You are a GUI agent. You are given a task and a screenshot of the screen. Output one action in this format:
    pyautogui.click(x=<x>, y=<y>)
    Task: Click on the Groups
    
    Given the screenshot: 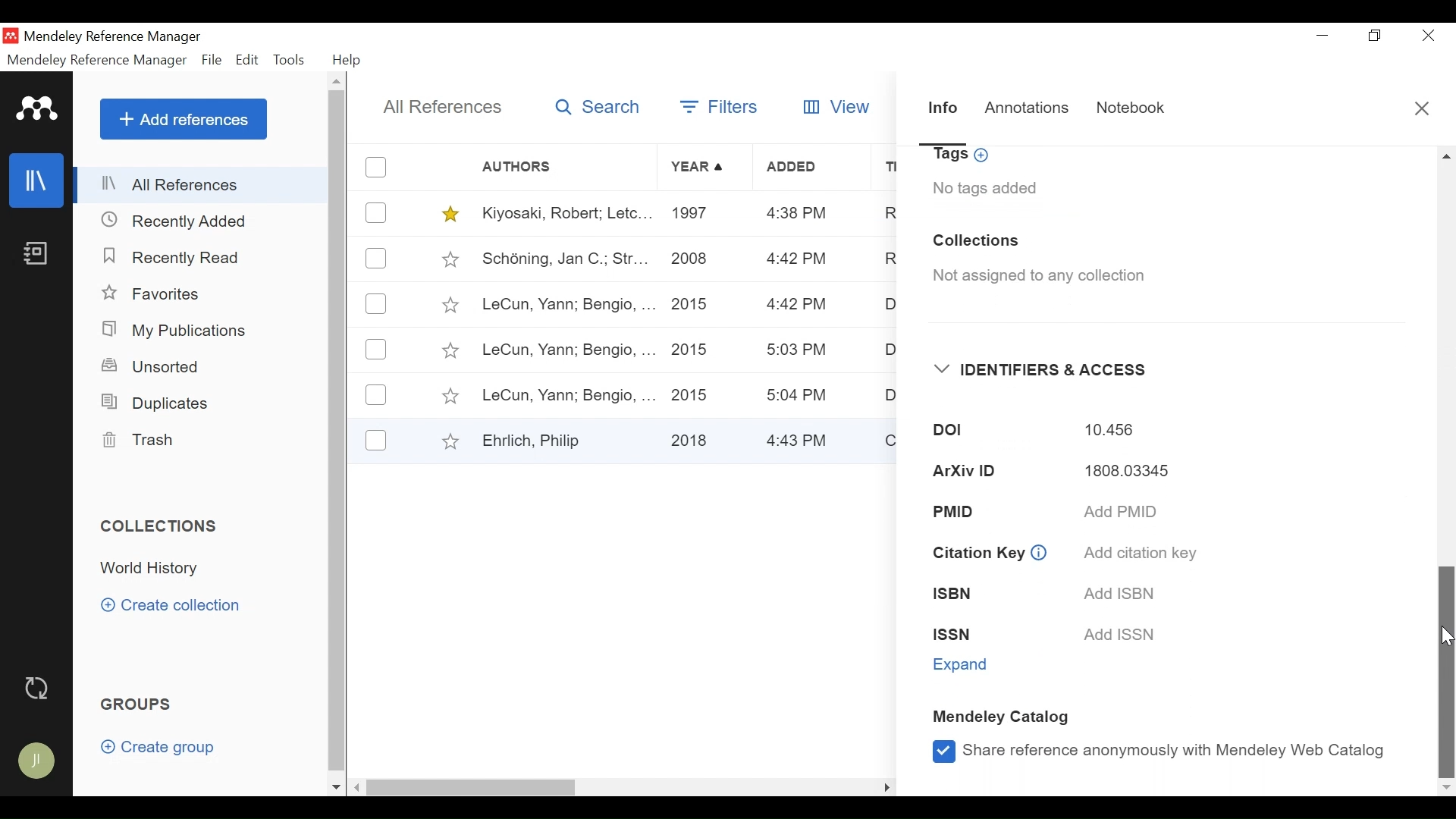 What is the action you would take?
    pyautogui.click(x=134, y=704)
    